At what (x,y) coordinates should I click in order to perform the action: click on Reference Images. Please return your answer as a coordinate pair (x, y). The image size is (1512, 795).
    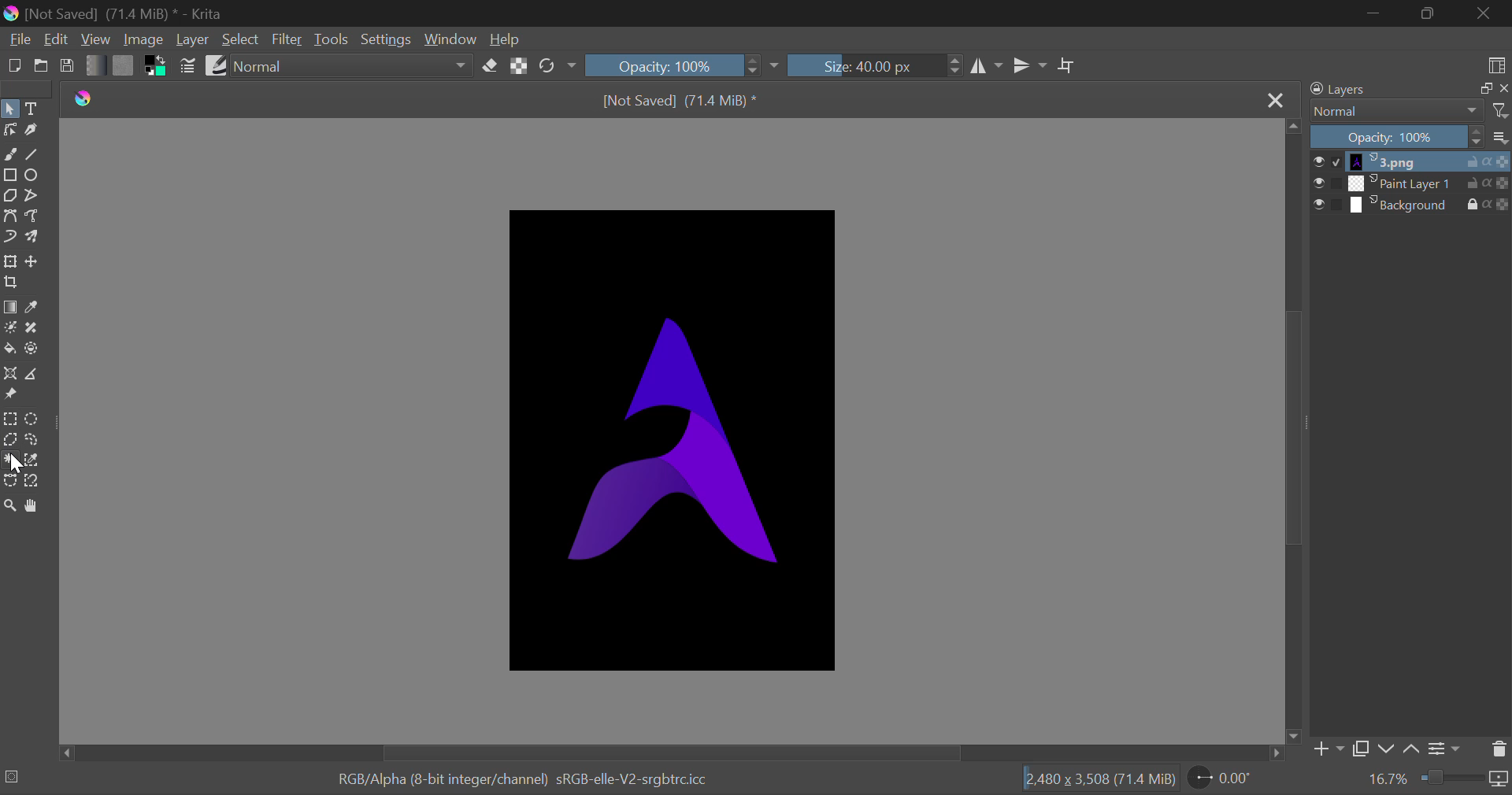
    Looking at the image, I should click on (9, 395).